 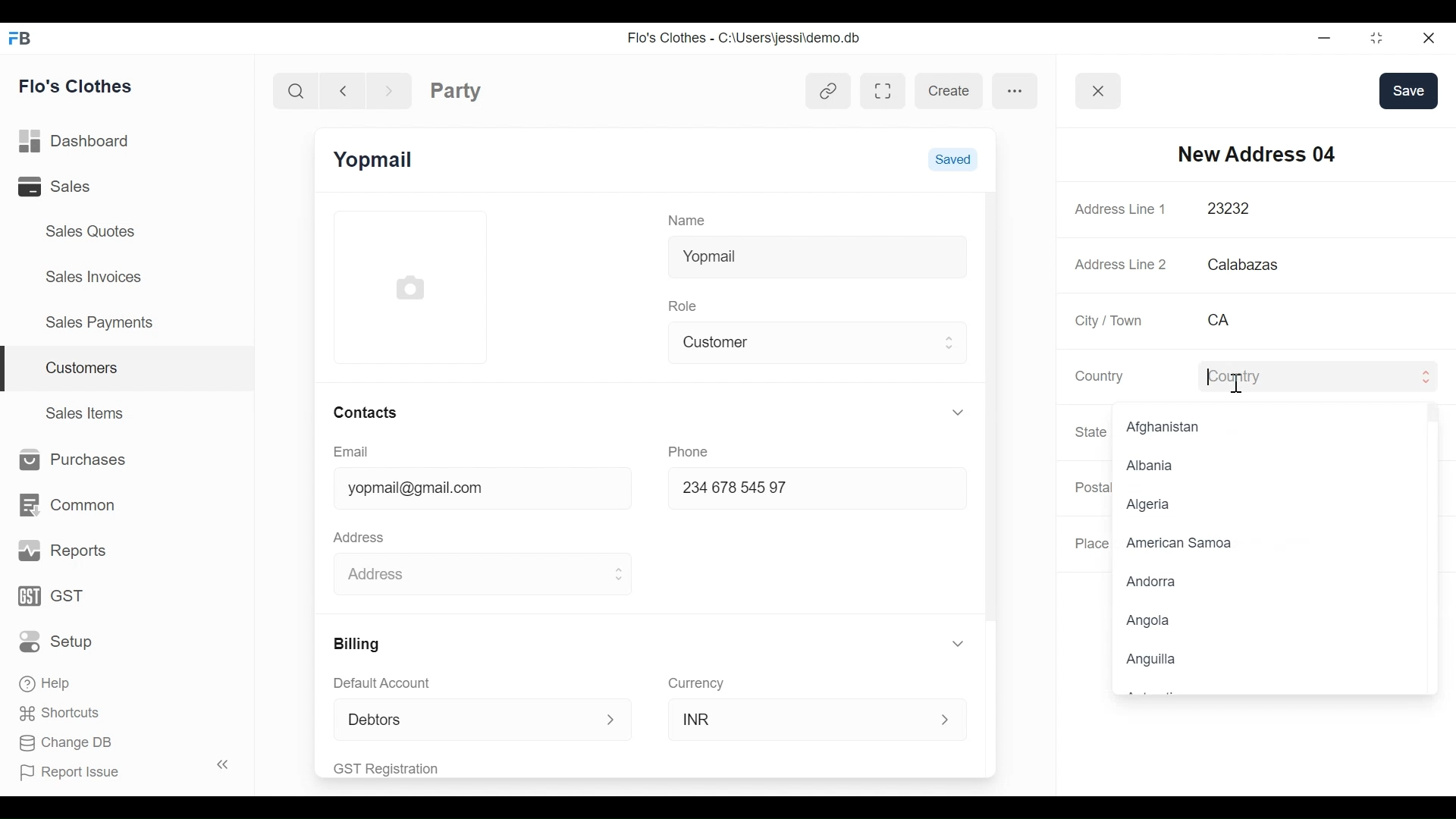 I want to click on Default Account, so click(x=392, y=682).